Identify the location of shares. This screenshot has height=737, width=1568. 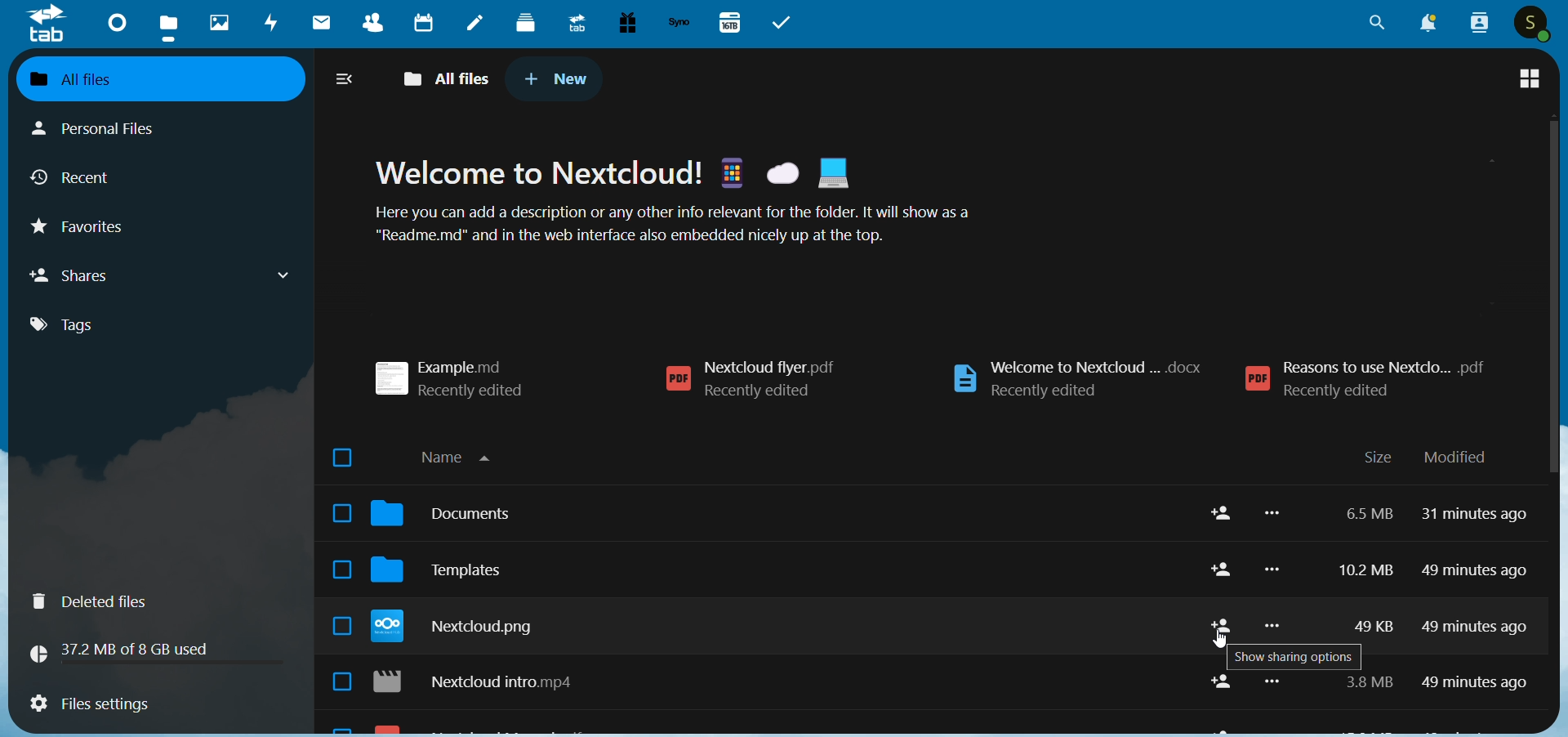
(163, 275).